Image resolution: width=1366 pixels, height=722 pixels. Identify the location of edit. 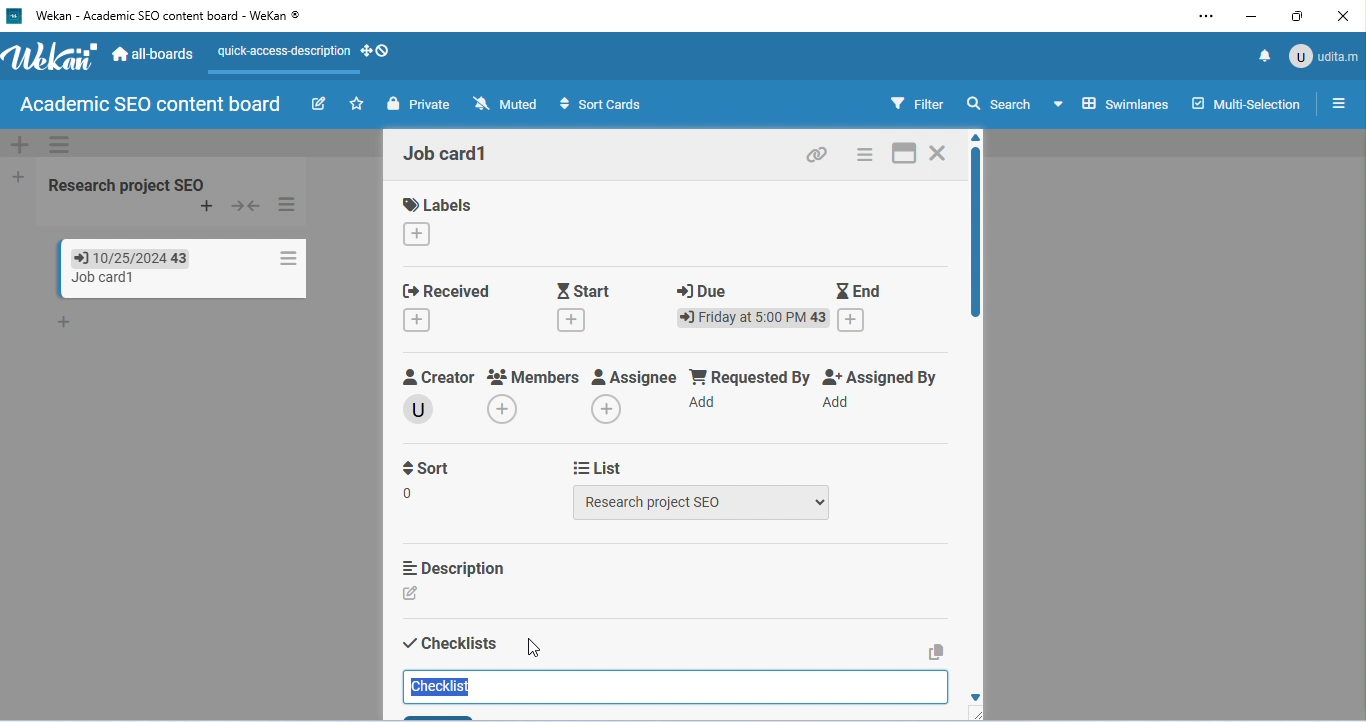
(318, 103).